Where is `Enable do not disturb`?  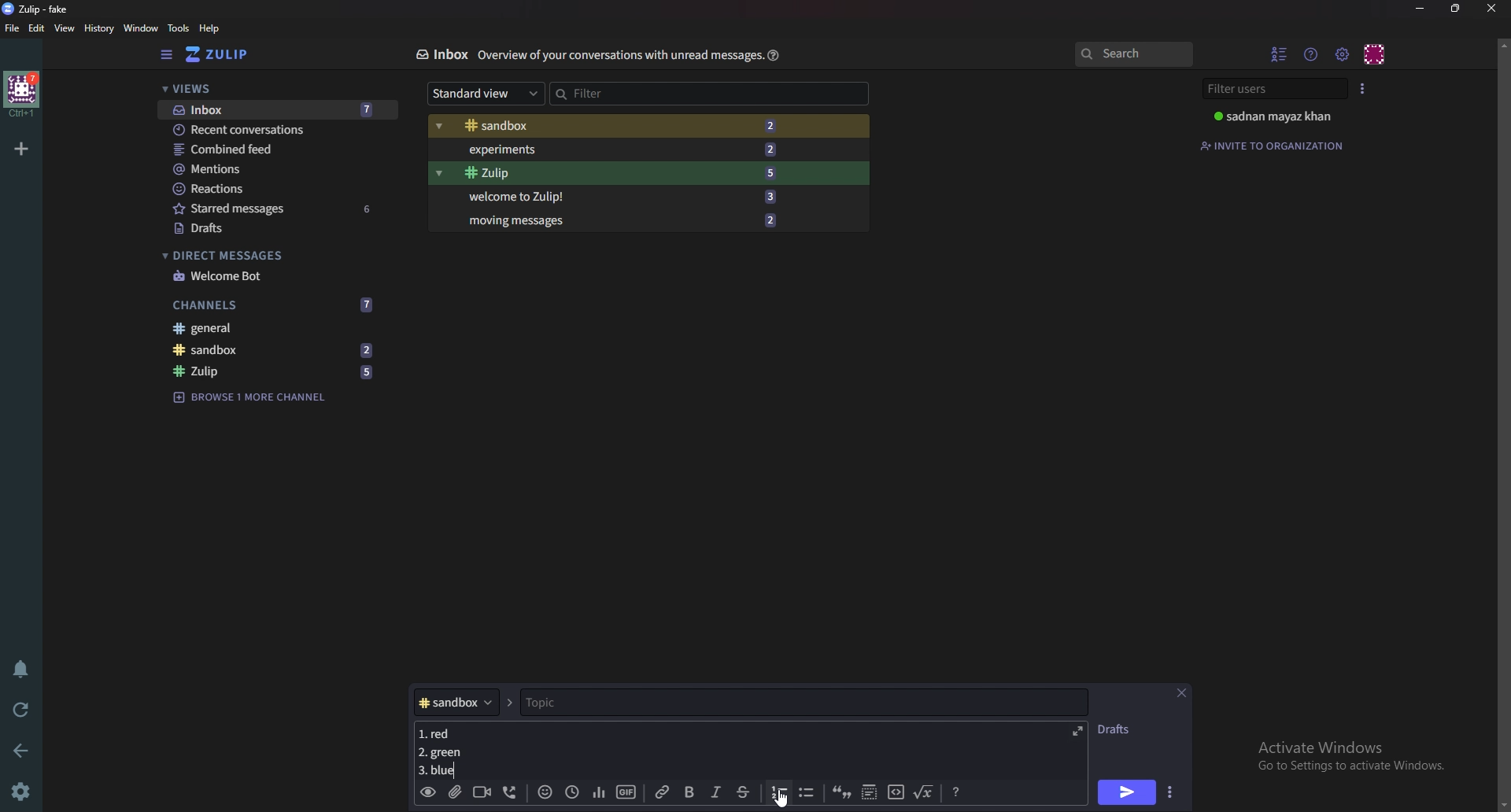 Enable do not disturb is located at coordinates (19, 670).